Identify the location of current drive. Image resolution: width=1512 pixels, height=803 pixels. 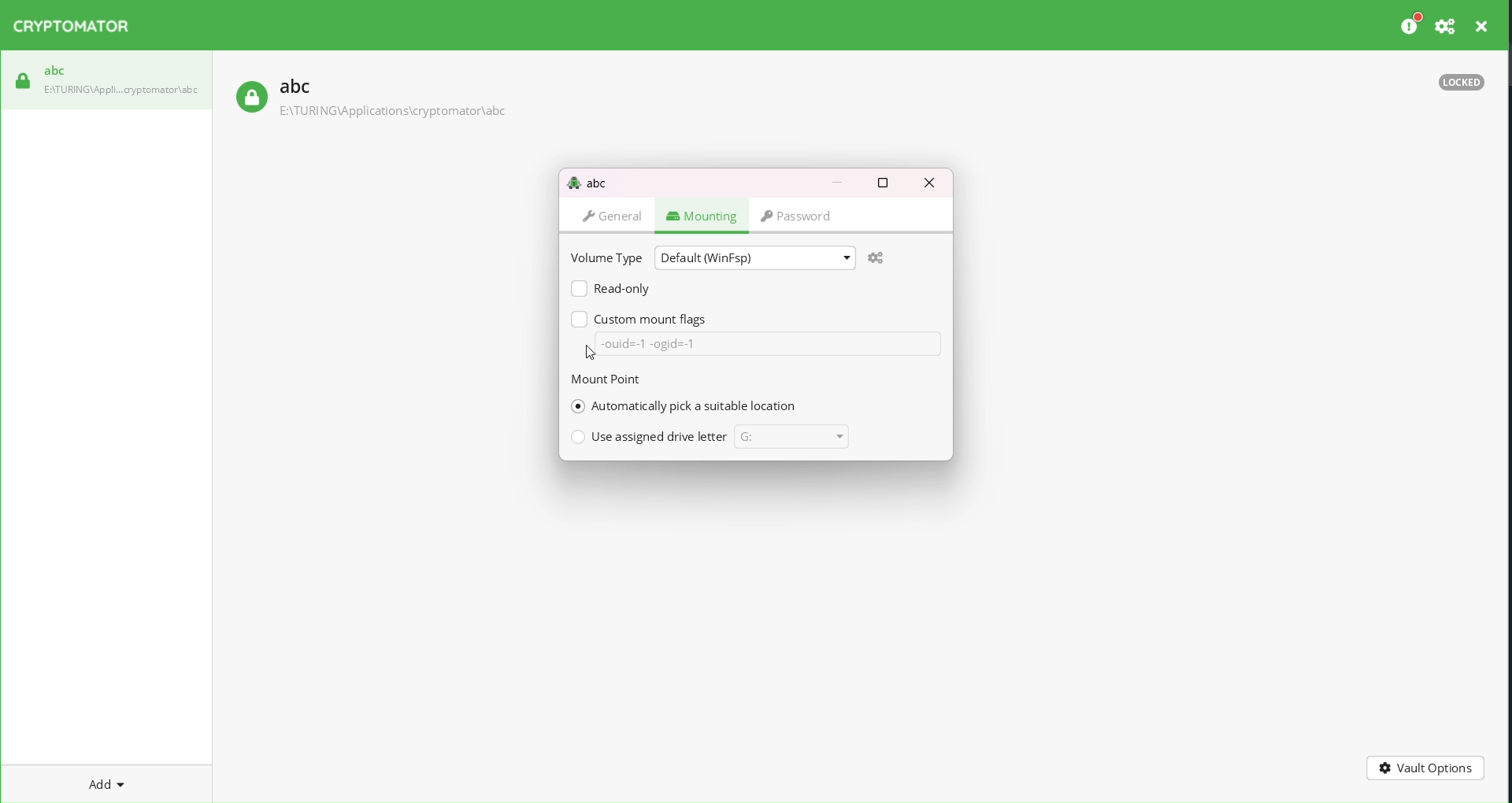
(783, 436).